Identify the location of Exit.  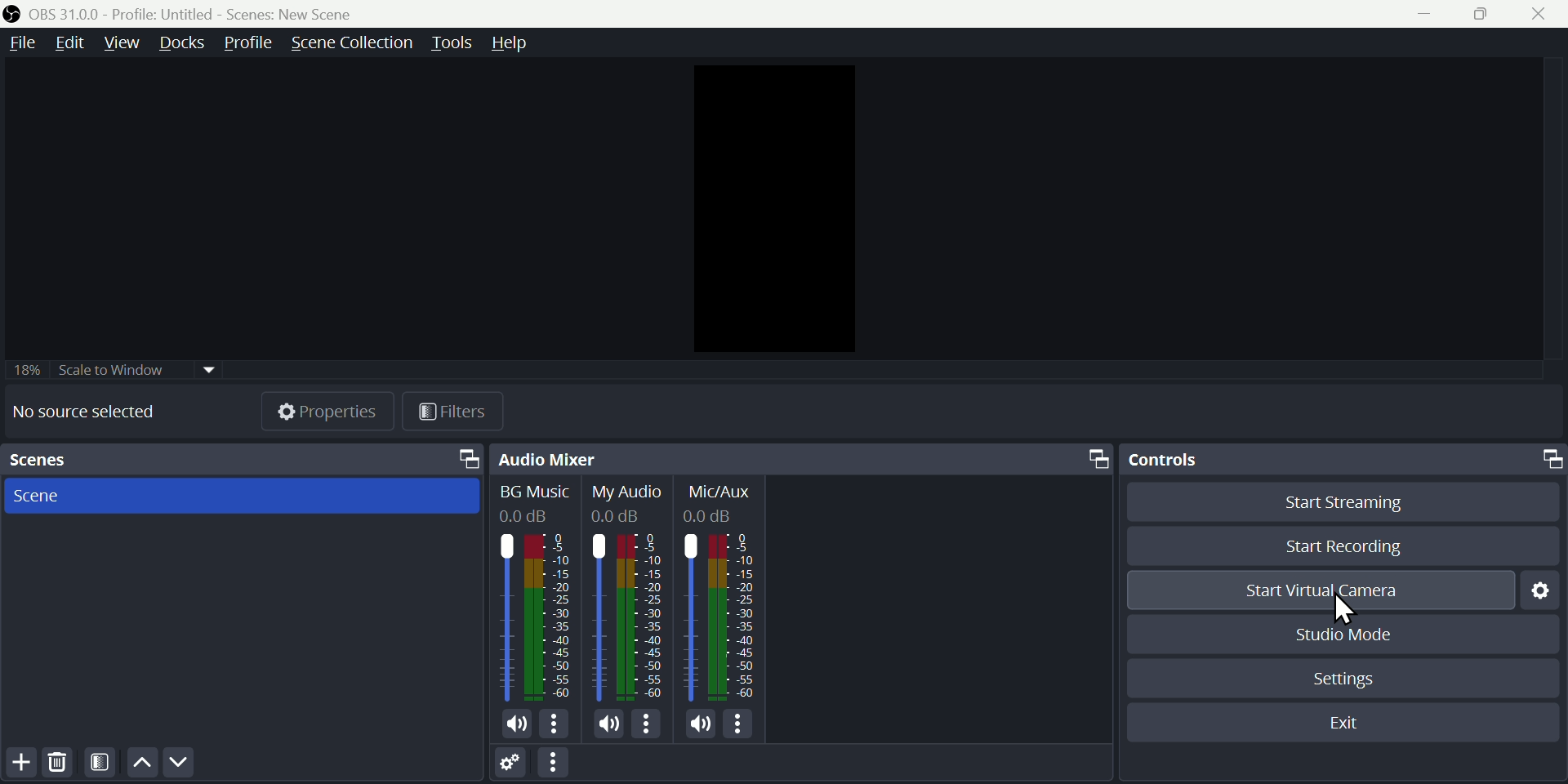
(1343, 725).